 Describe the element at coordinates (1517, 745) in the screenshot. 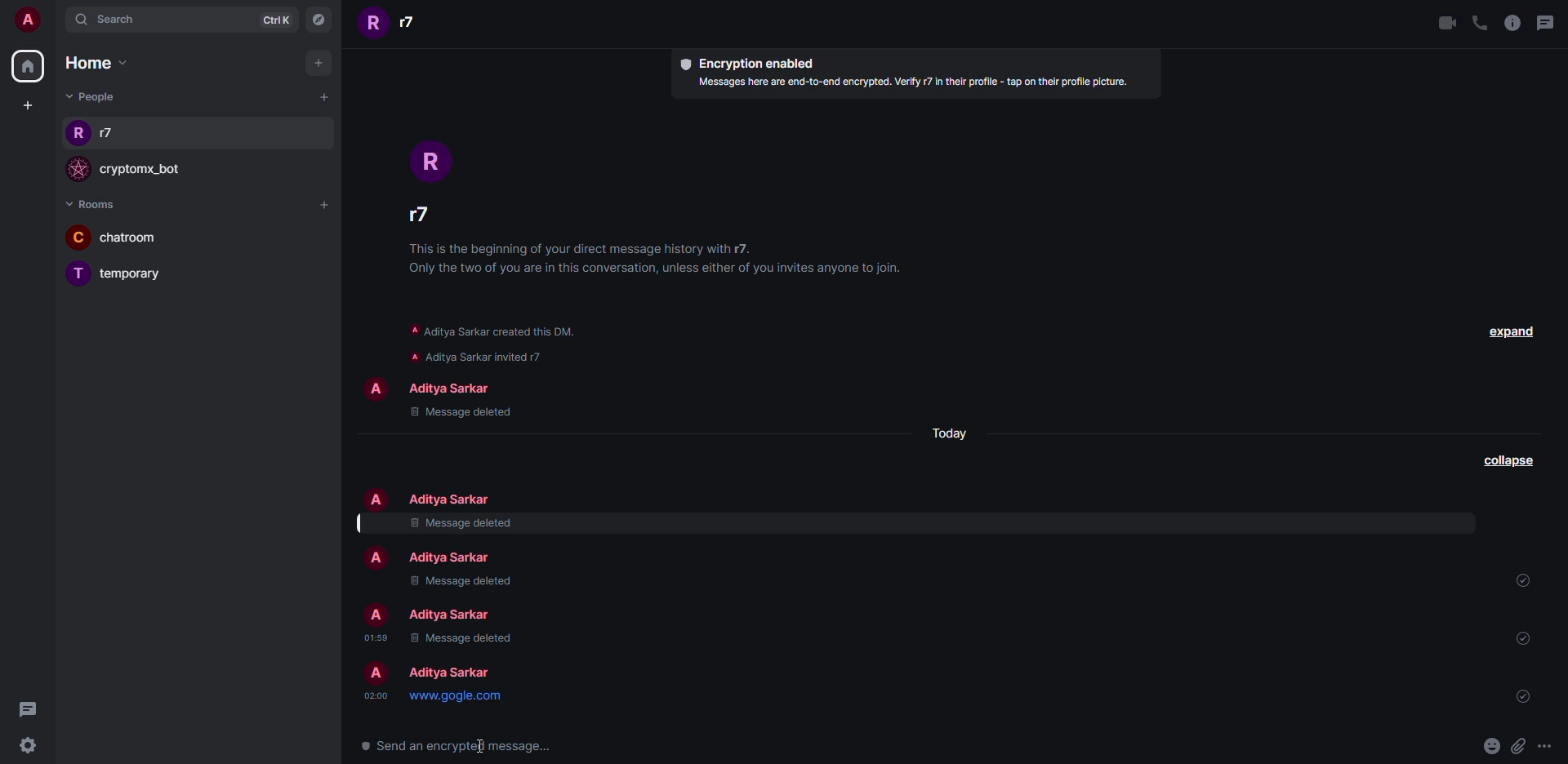

I see `attach` at that location.